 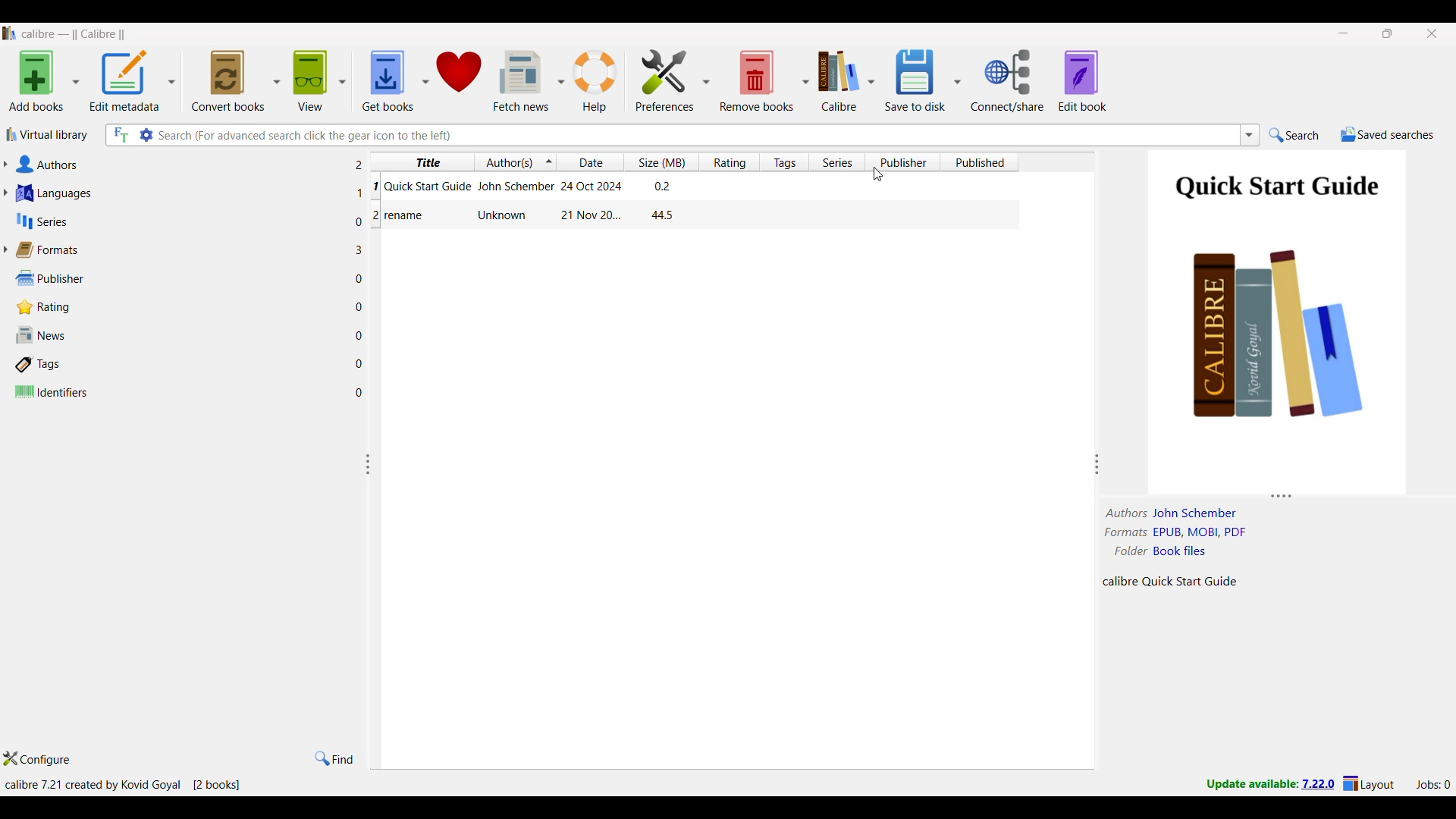 I want to click on Formats, so click(x=177, y=249).